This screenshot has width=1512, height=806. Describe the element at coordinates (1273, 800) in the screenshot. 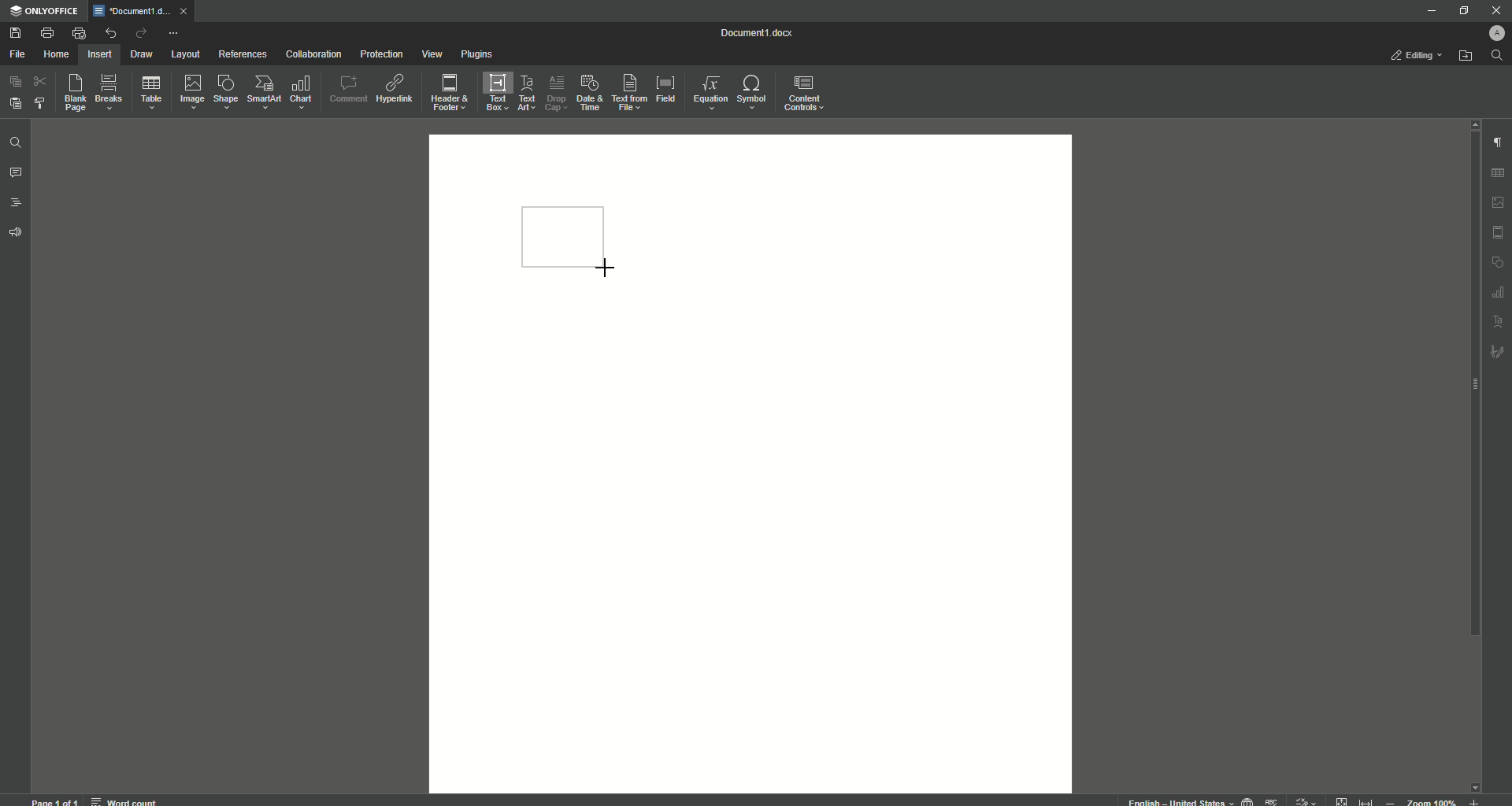

I see `spell checking` at that location.